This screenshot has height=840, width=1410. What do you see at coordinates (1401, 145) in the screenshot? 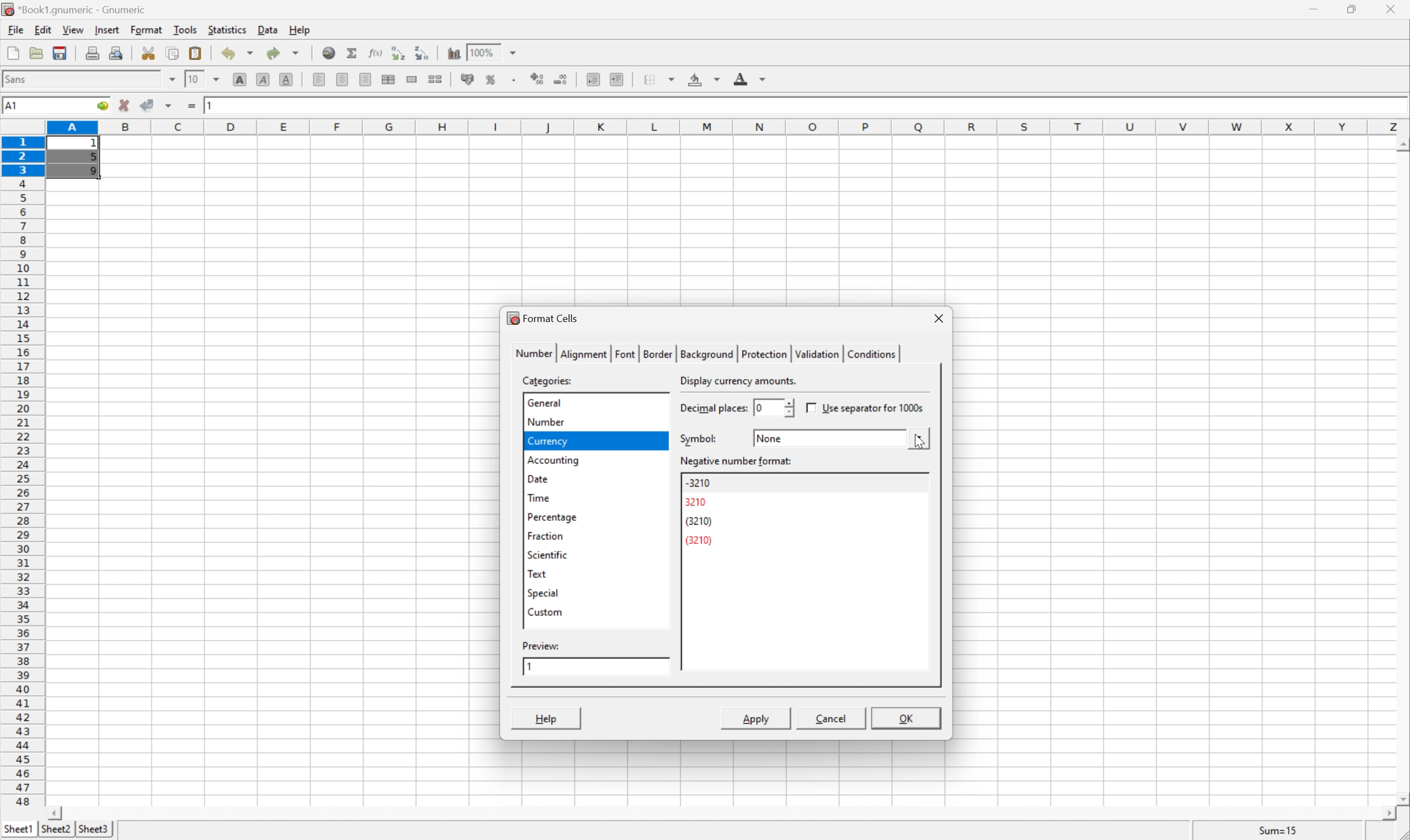
I see `scroll up` at bounding box center [1401, 145].